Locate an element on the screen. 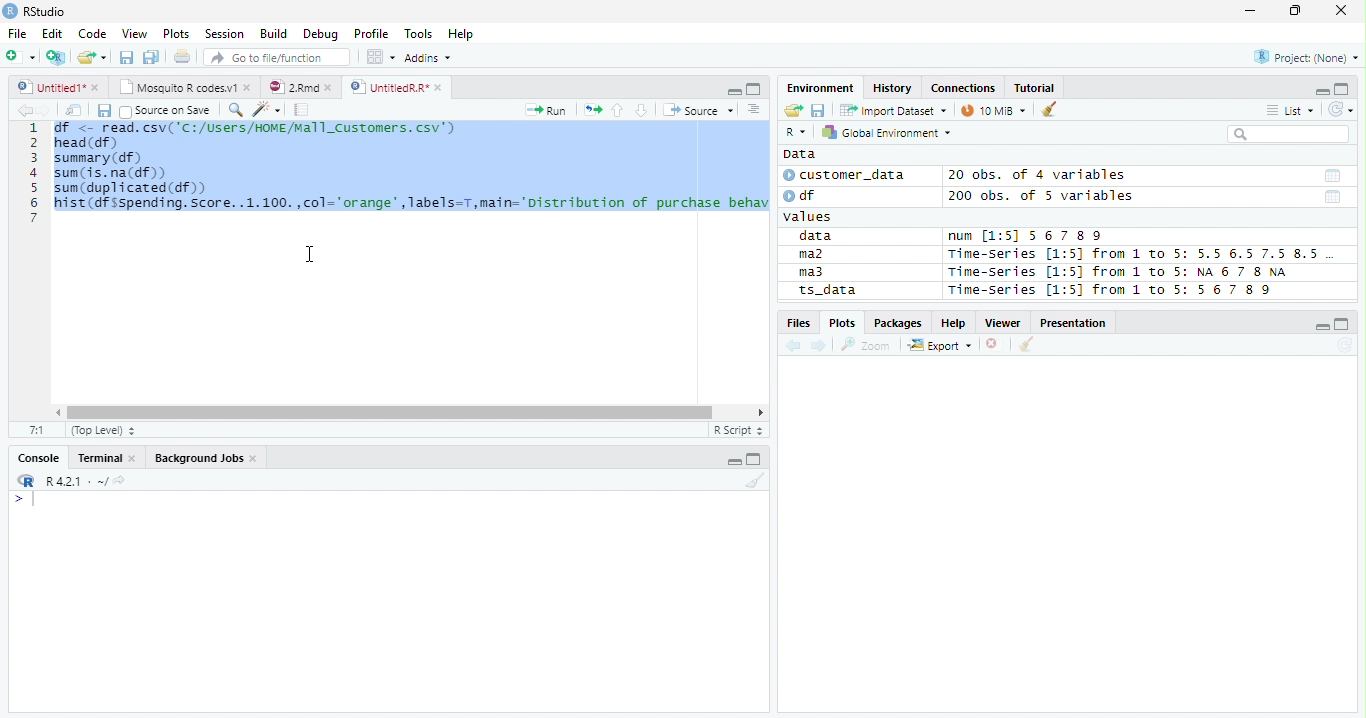 The width and height of the screenshot is (1366, 718). Zoom is located at coordinates (866, 345).